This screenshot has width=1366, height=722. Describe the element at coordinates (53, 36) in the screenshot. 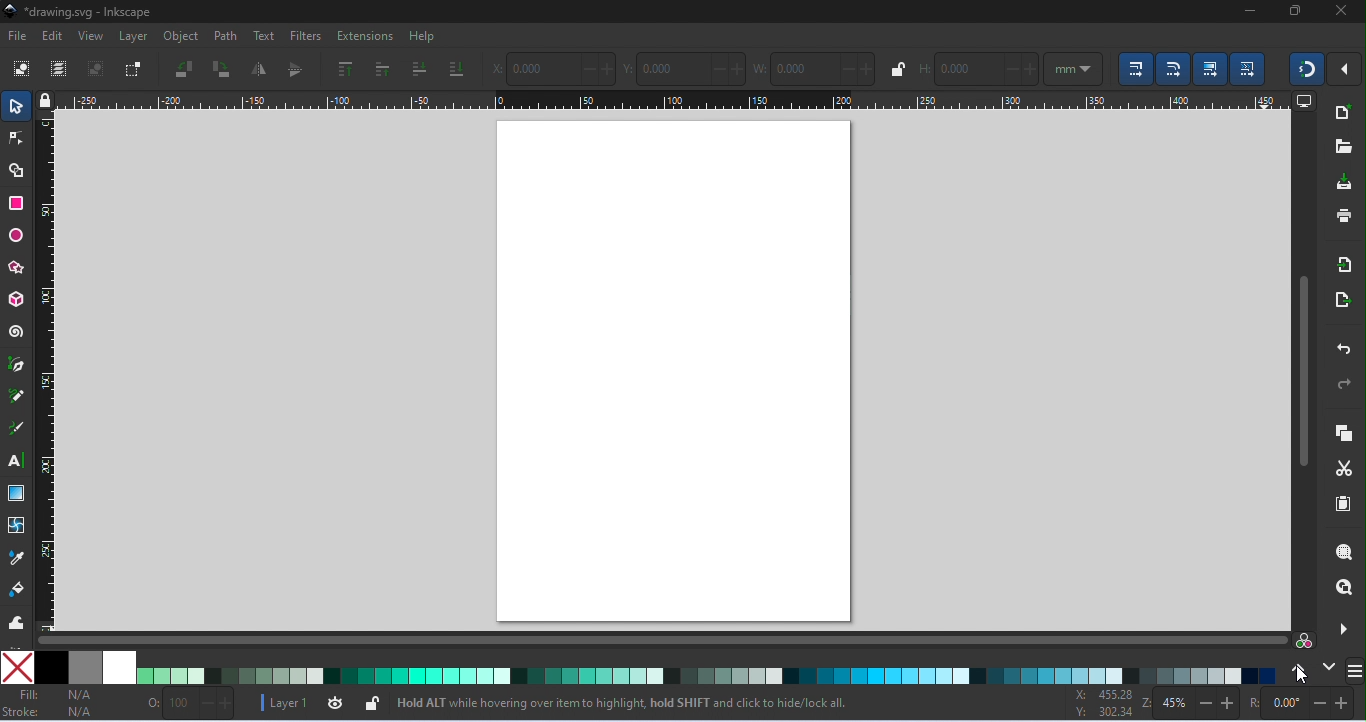

I see `edit` at that location.